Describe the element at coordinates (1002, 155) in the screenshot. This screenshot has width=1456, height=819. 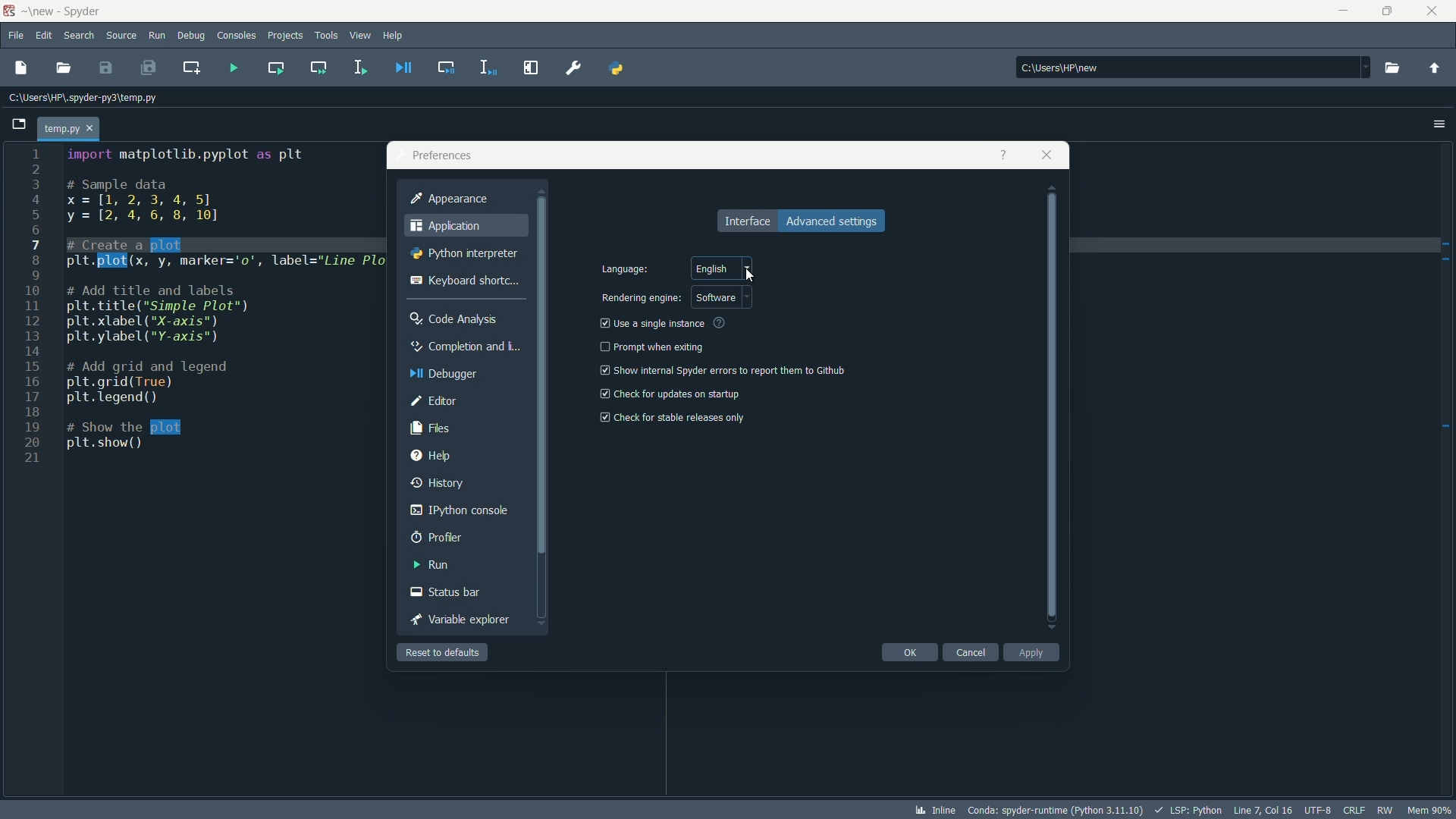
I see `get help` at that location.